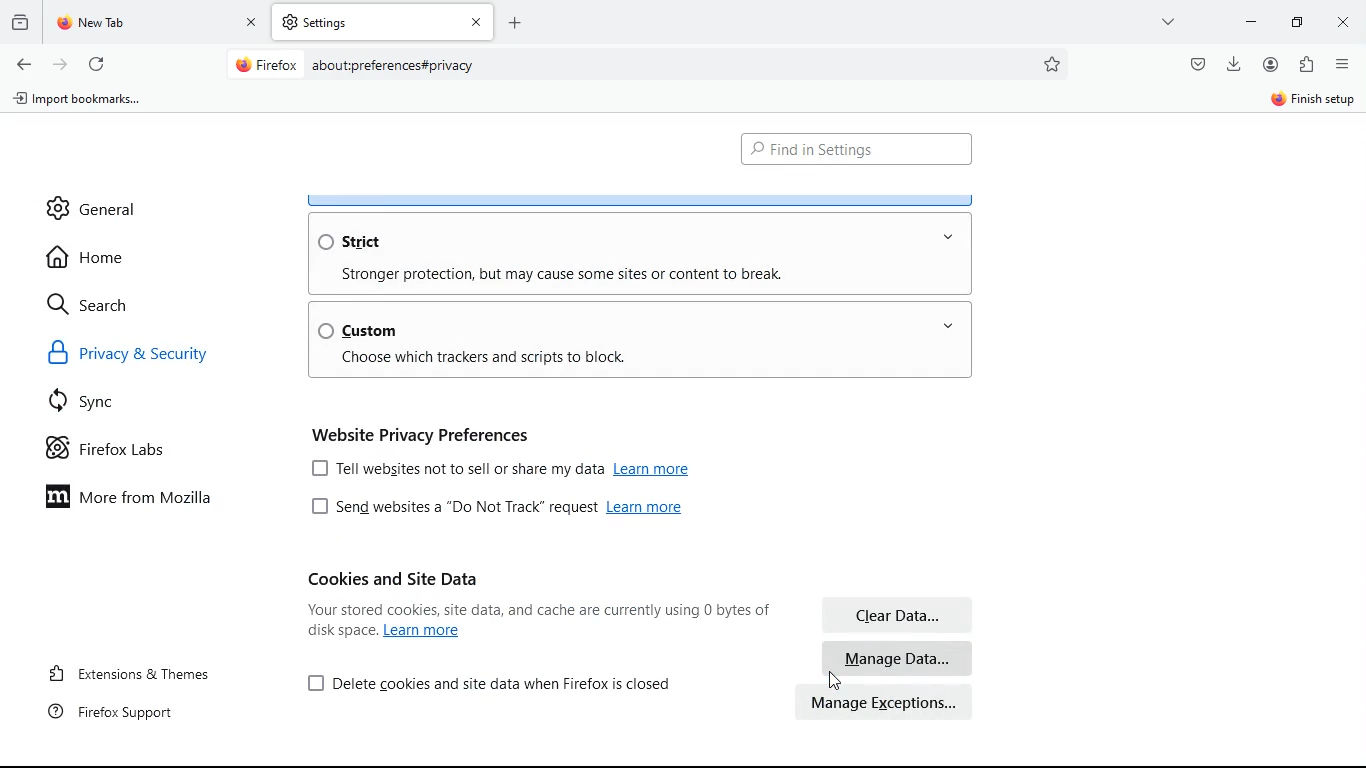 The width and height of the screenshot is (1366, 768). Describe the element at coordinates (124, 711) in the screenshot. I see `firefox support` at that location.